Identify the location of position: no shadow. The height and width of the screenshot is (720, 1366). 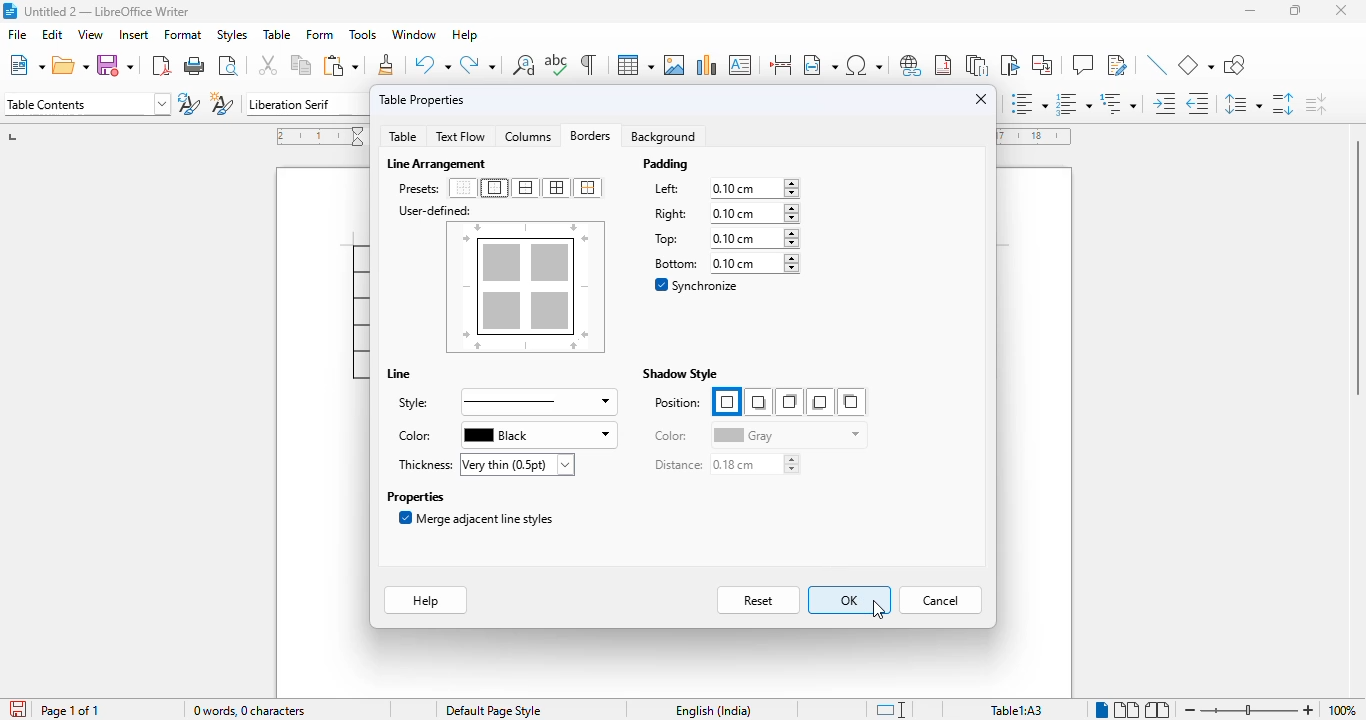
(759, 402).